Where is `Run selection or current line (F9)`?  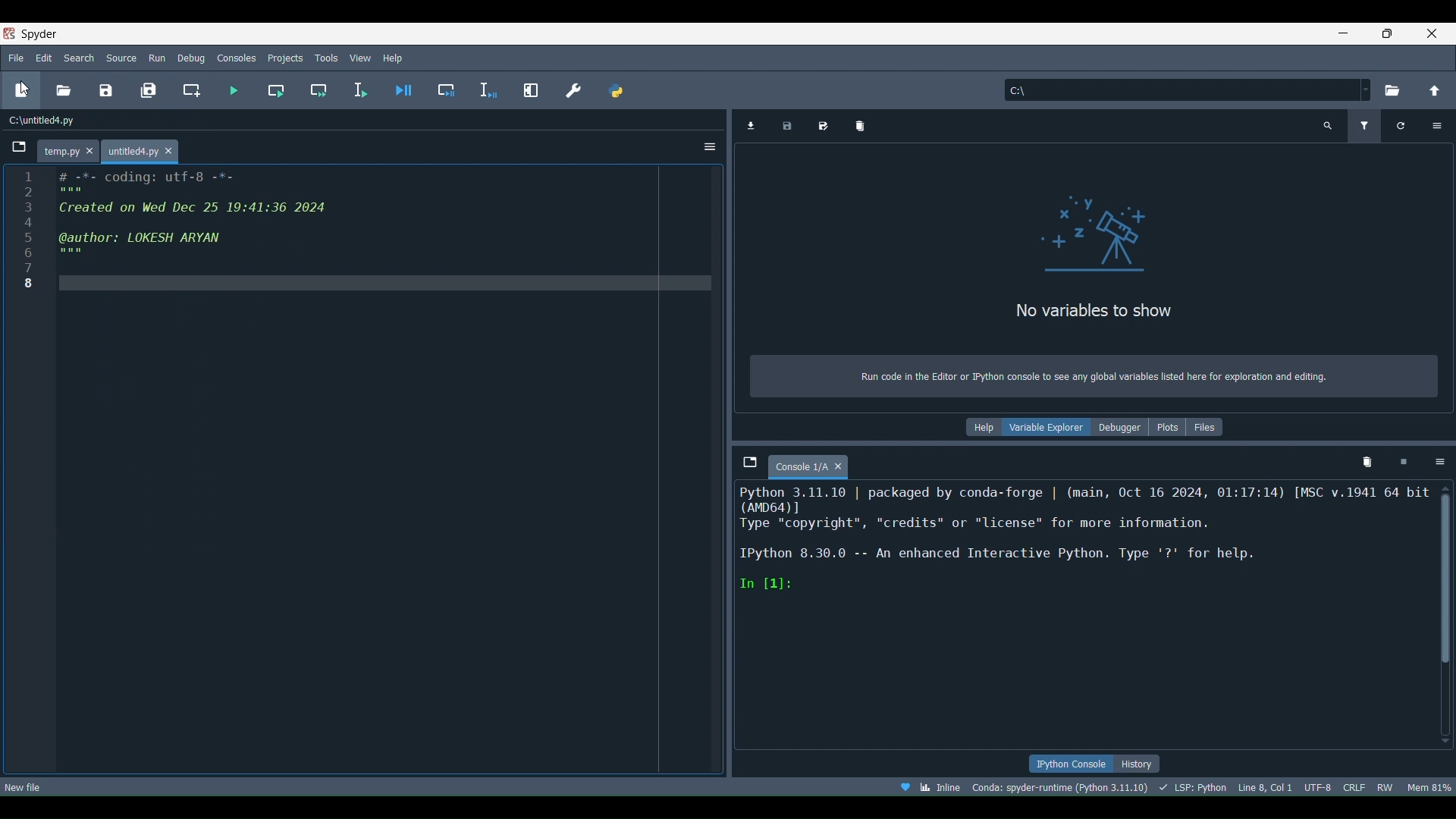
Run selection or current line (F9) is located at coordinates (353, 89).